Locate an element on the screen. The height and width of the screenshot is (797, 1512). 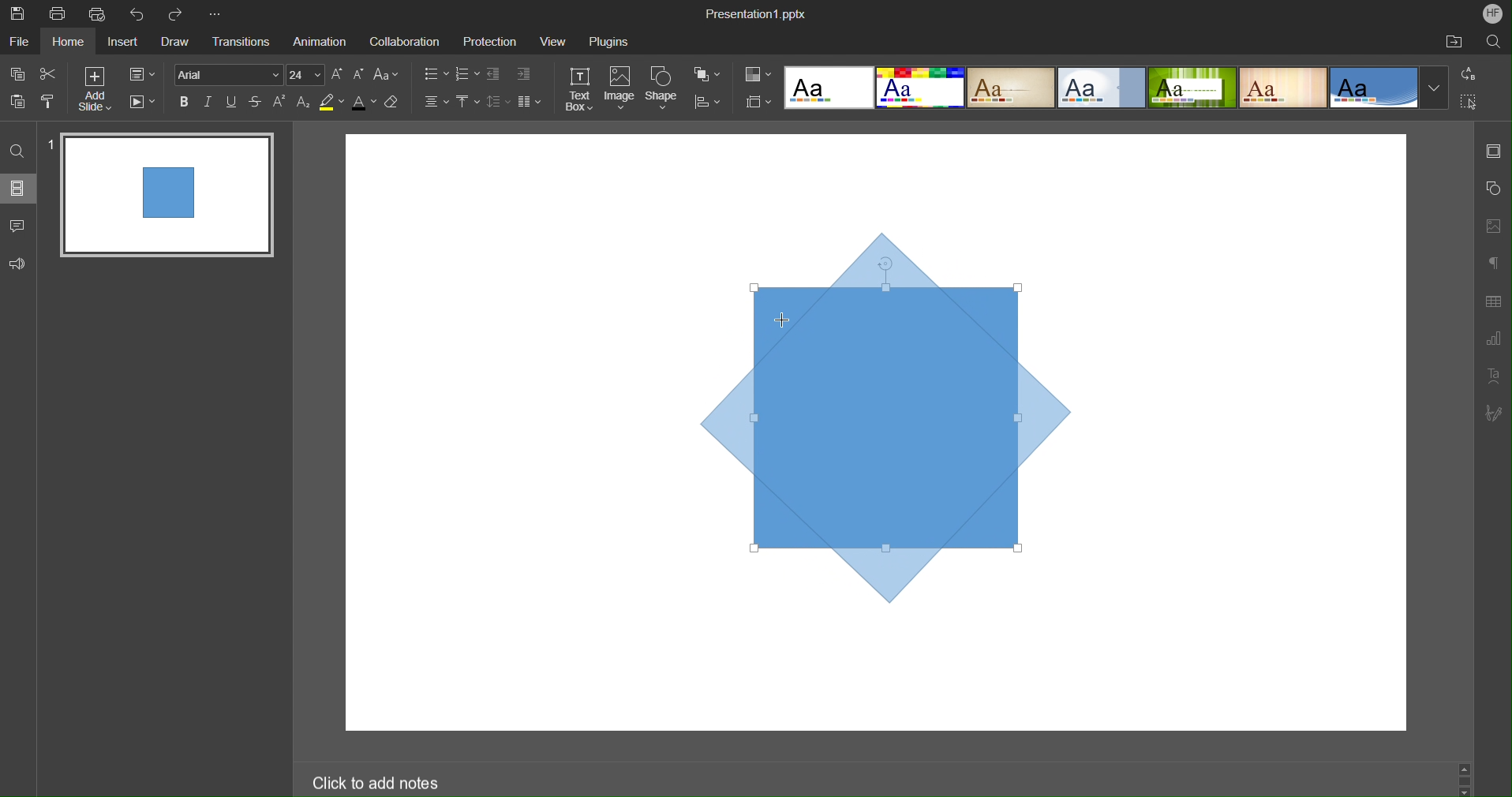
Font Case Settings is located at coordinates (386, 75).